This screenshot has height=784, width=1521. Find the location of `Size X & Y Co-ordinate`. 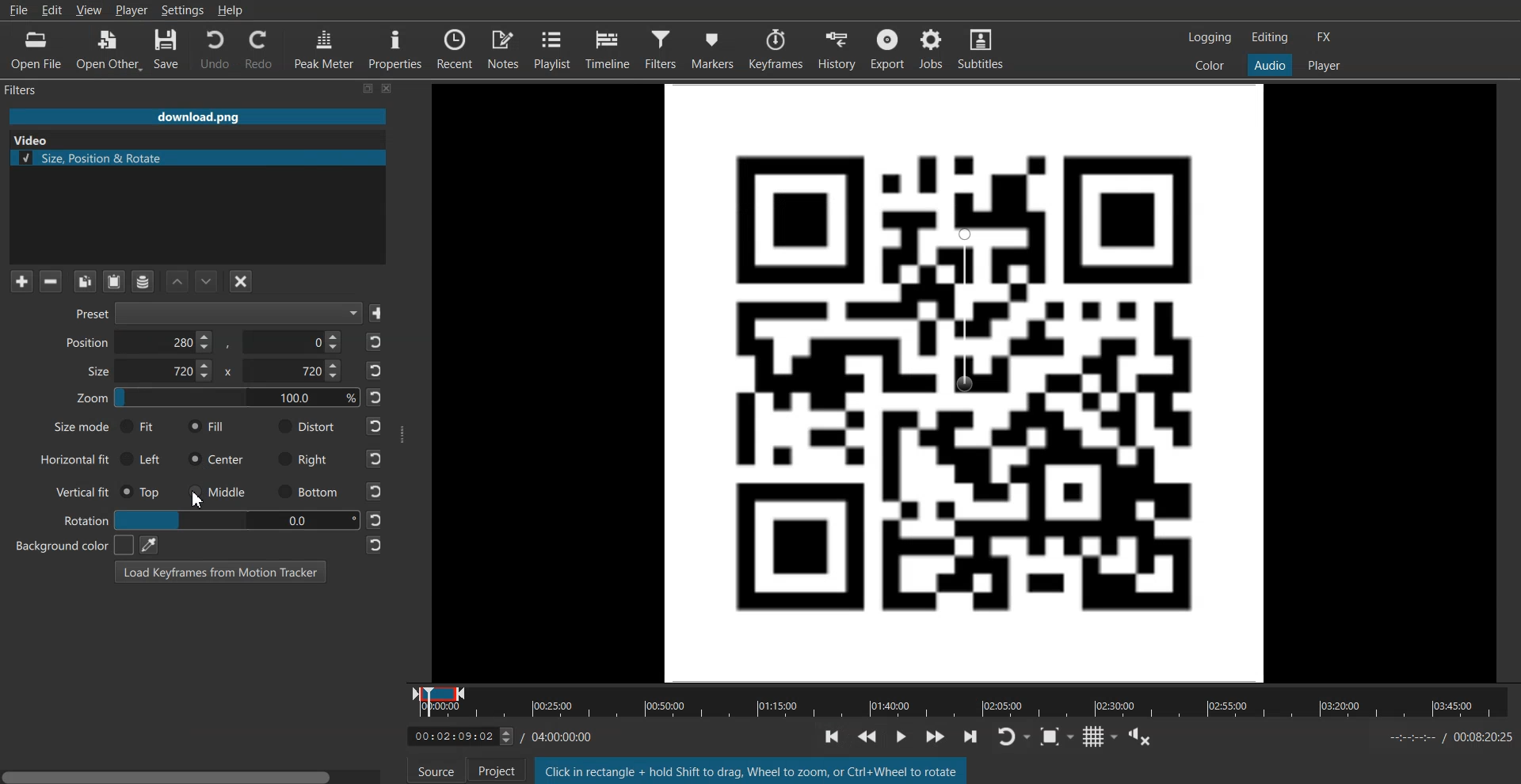

Size X & Y Co-ordinate is located at coordinates (210, 373).